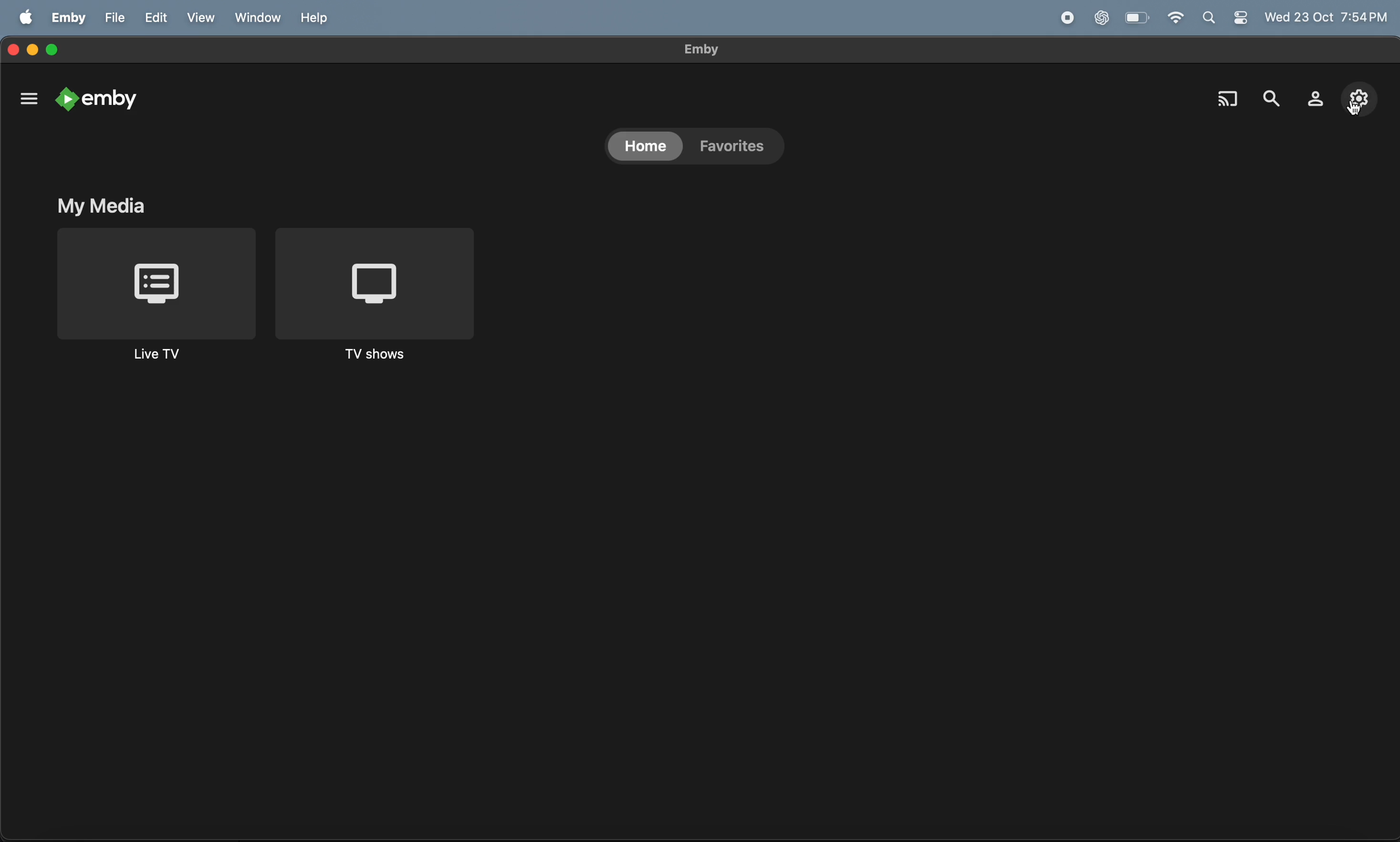 The height and width of the screenshot is (842, 1400). I want to click on cursor, so click(1352, 117).